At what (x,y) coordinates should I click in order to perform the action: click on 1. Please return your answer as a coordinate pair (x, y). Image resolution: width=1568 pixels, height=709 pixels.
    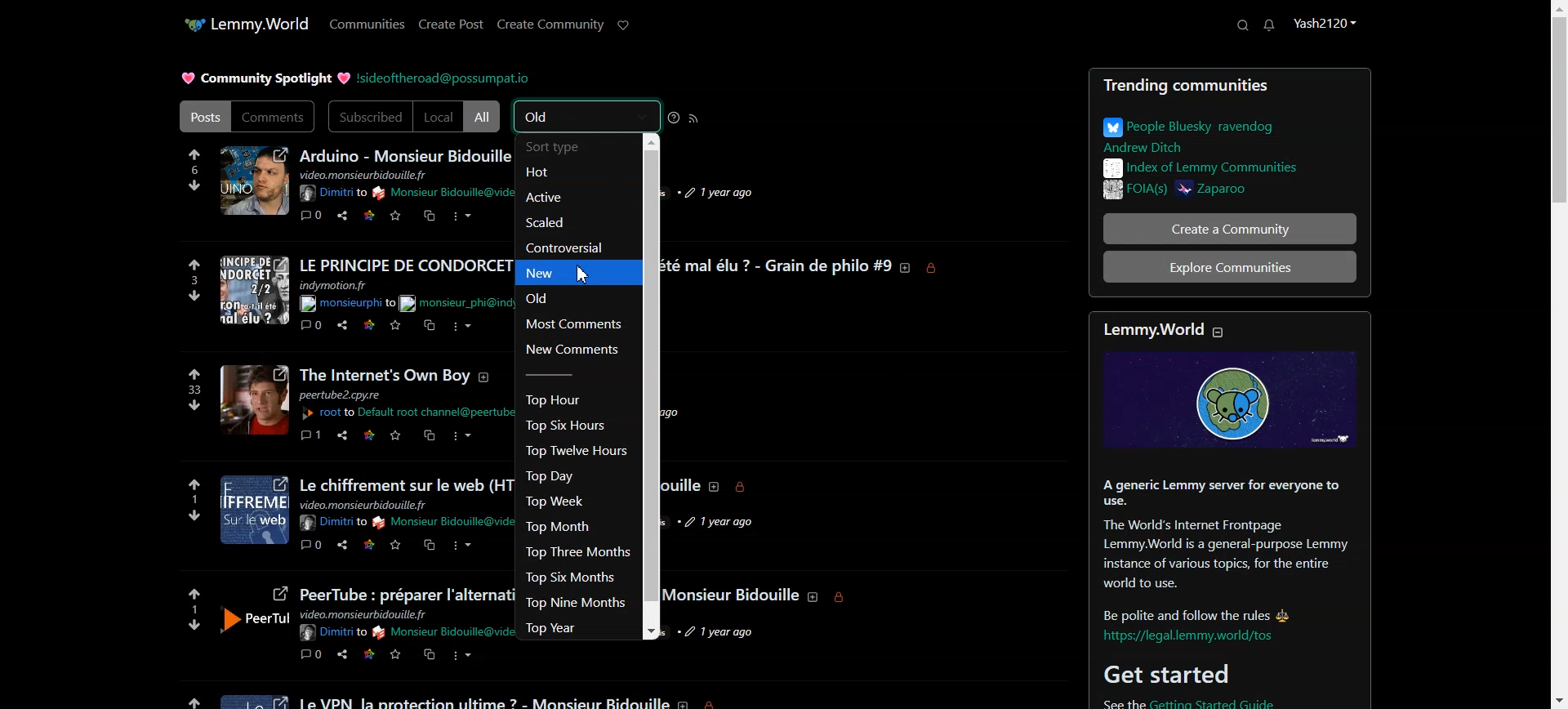
    Looking at the image, I should click on (189, 499).